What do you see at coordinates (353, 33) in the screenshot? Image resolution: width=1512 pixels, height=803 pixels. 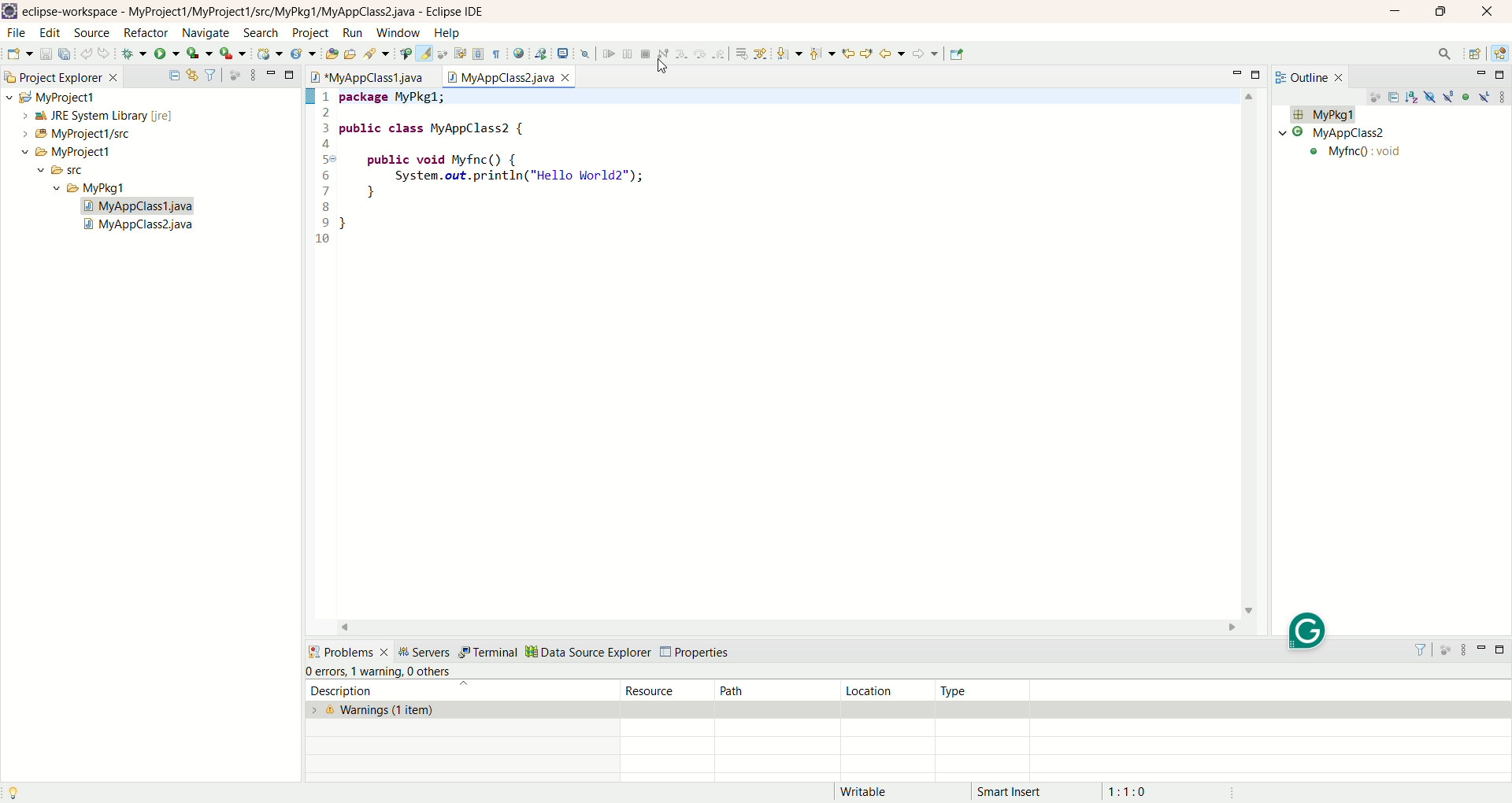 I see `run` at bounding box center [353, 33].